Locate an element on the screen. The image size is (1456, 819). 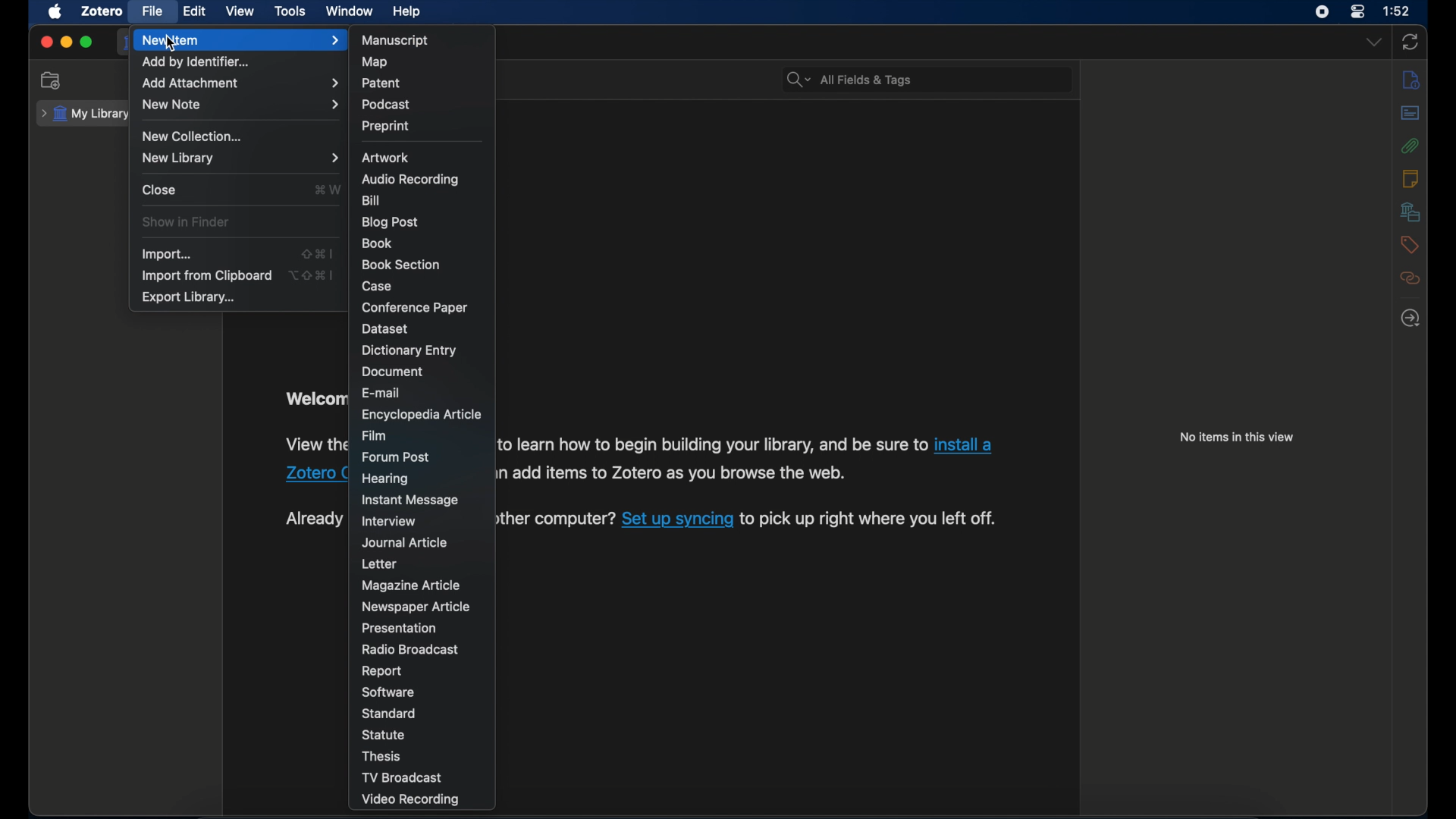
shift + command + I is located at coordinates (318, 253).